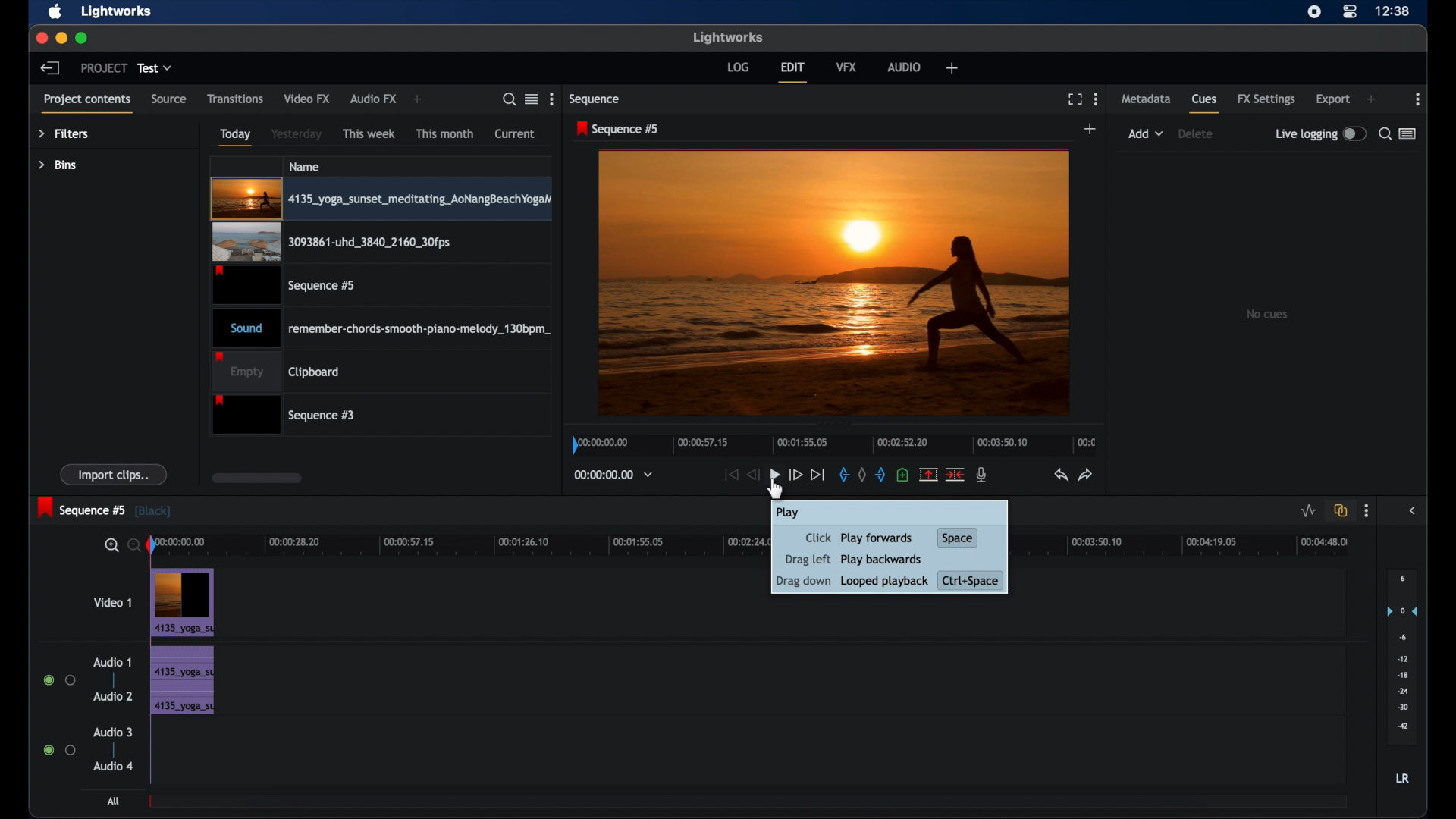 The height and width of the screenshot is (819, 1456). Describe the element at coordinates (112, 696) in the screenshot. I see `audio 2` at that location.